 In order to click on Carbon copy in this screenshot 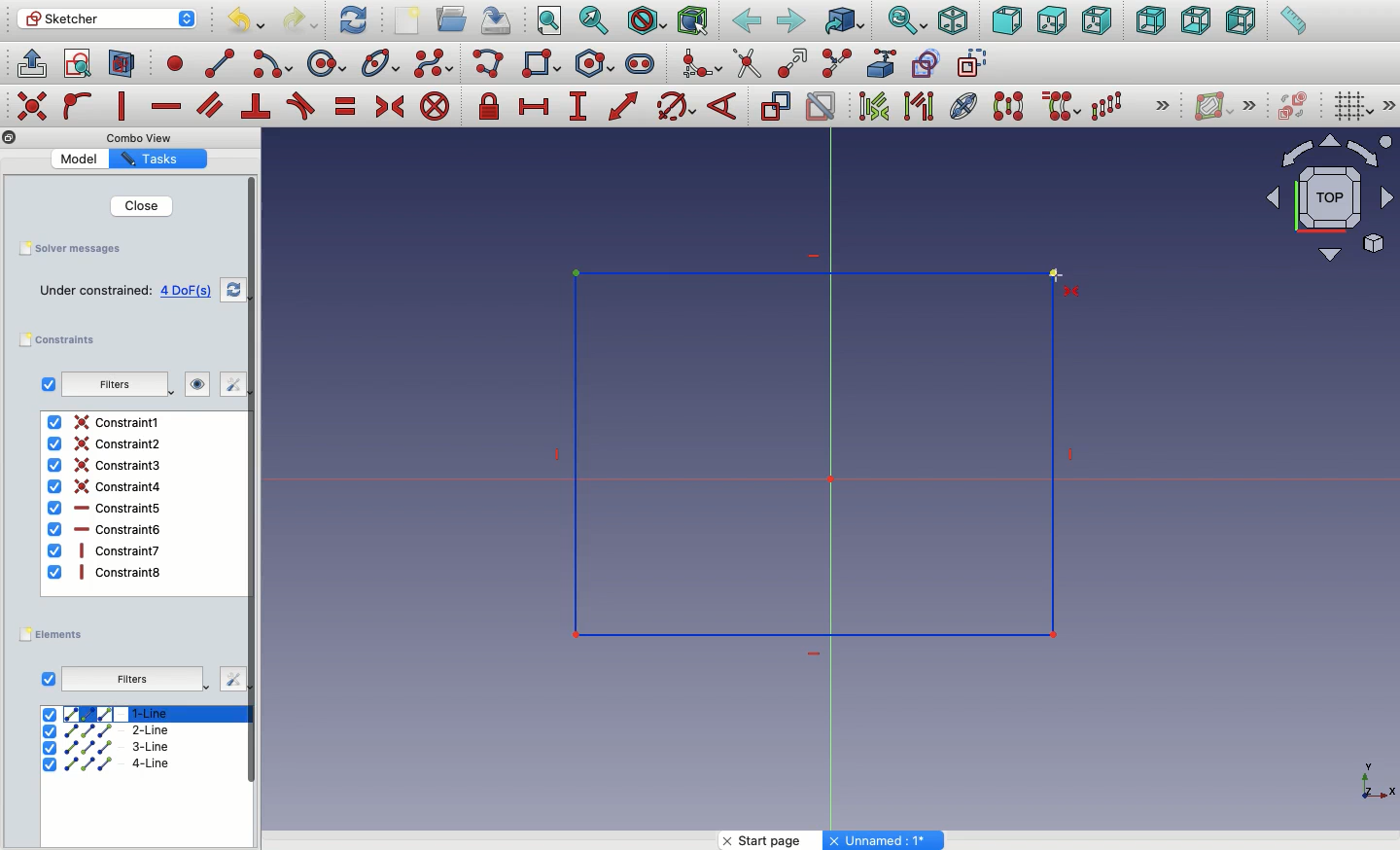, I will do `click(925, 63)`.